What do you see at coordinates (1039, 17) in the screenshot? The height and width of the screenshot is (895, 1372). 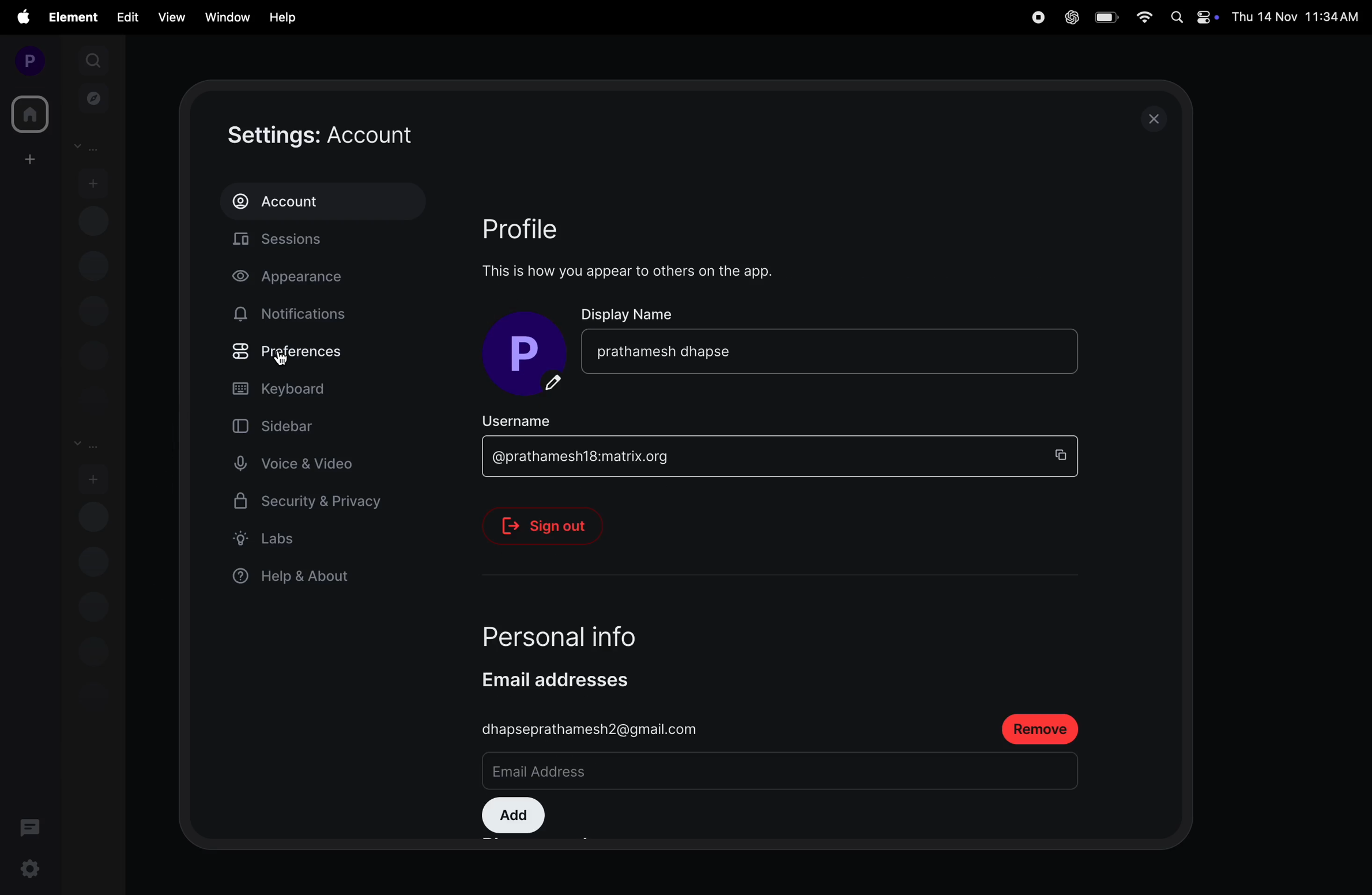 I see `record` at bounding box center [1039, 17].